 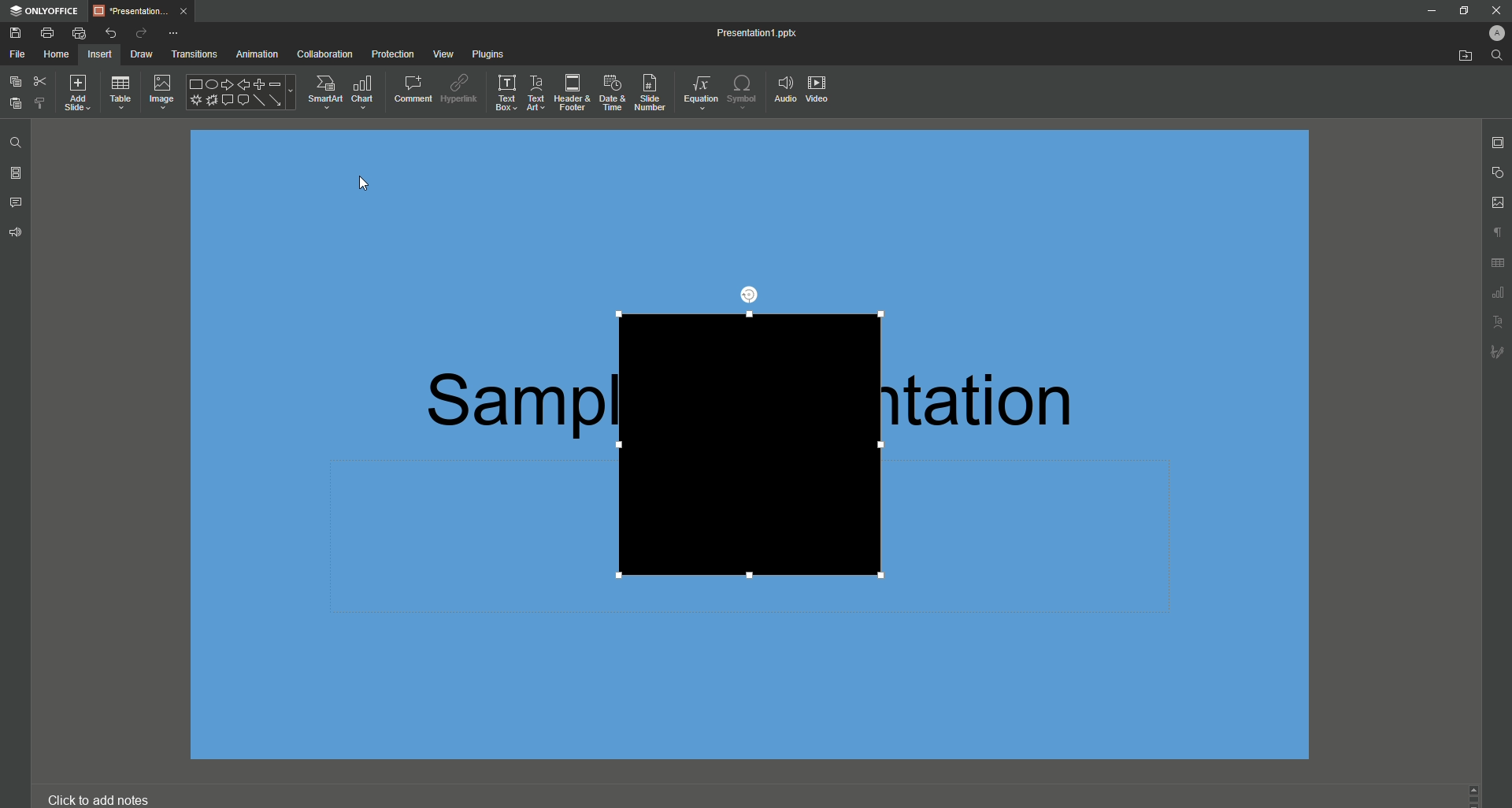 I want to click on More Options, so click(x=174, y=32).